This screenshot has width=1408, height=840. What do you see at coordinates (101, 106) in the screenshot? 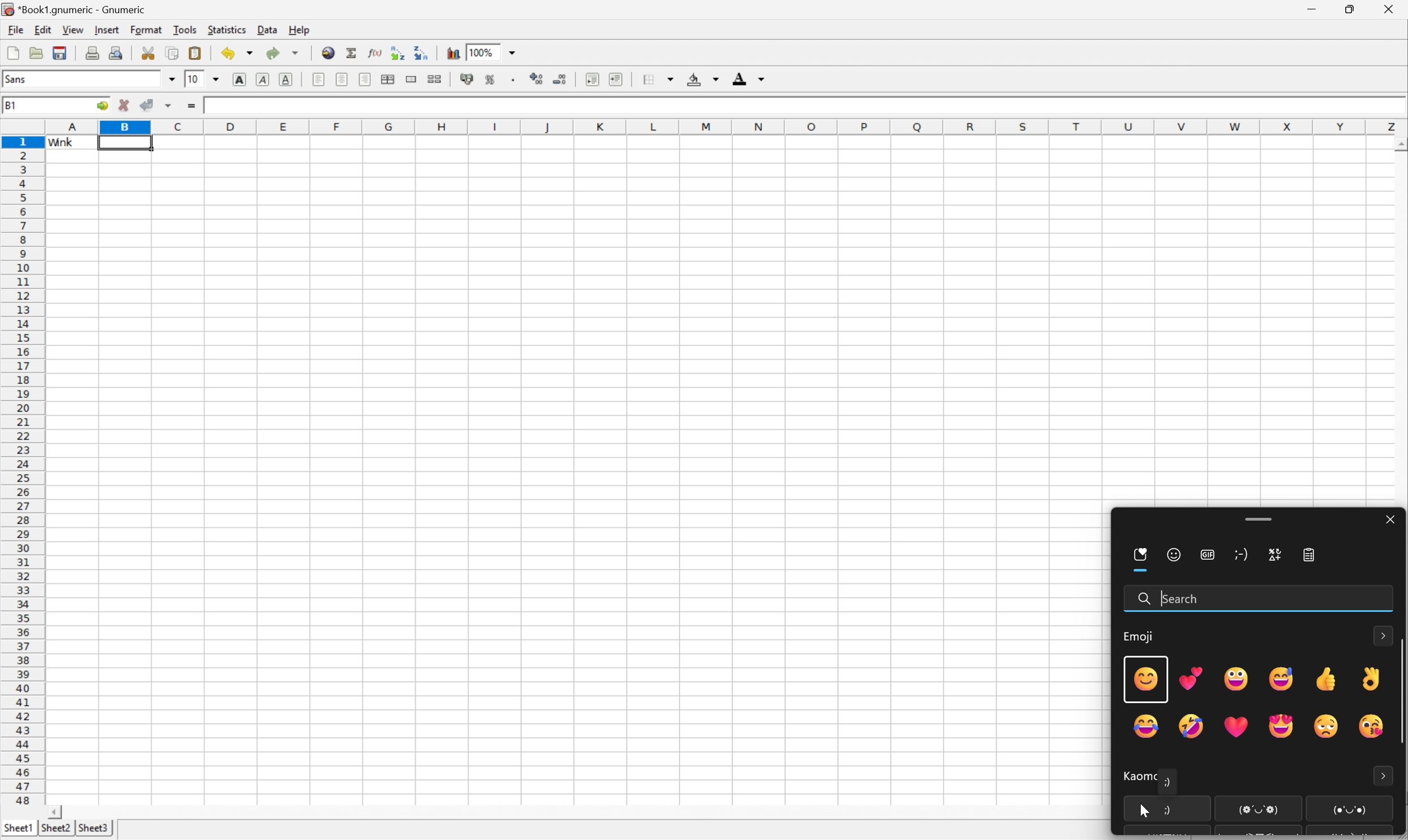
I see `go to` at bounding box center [101, 106].